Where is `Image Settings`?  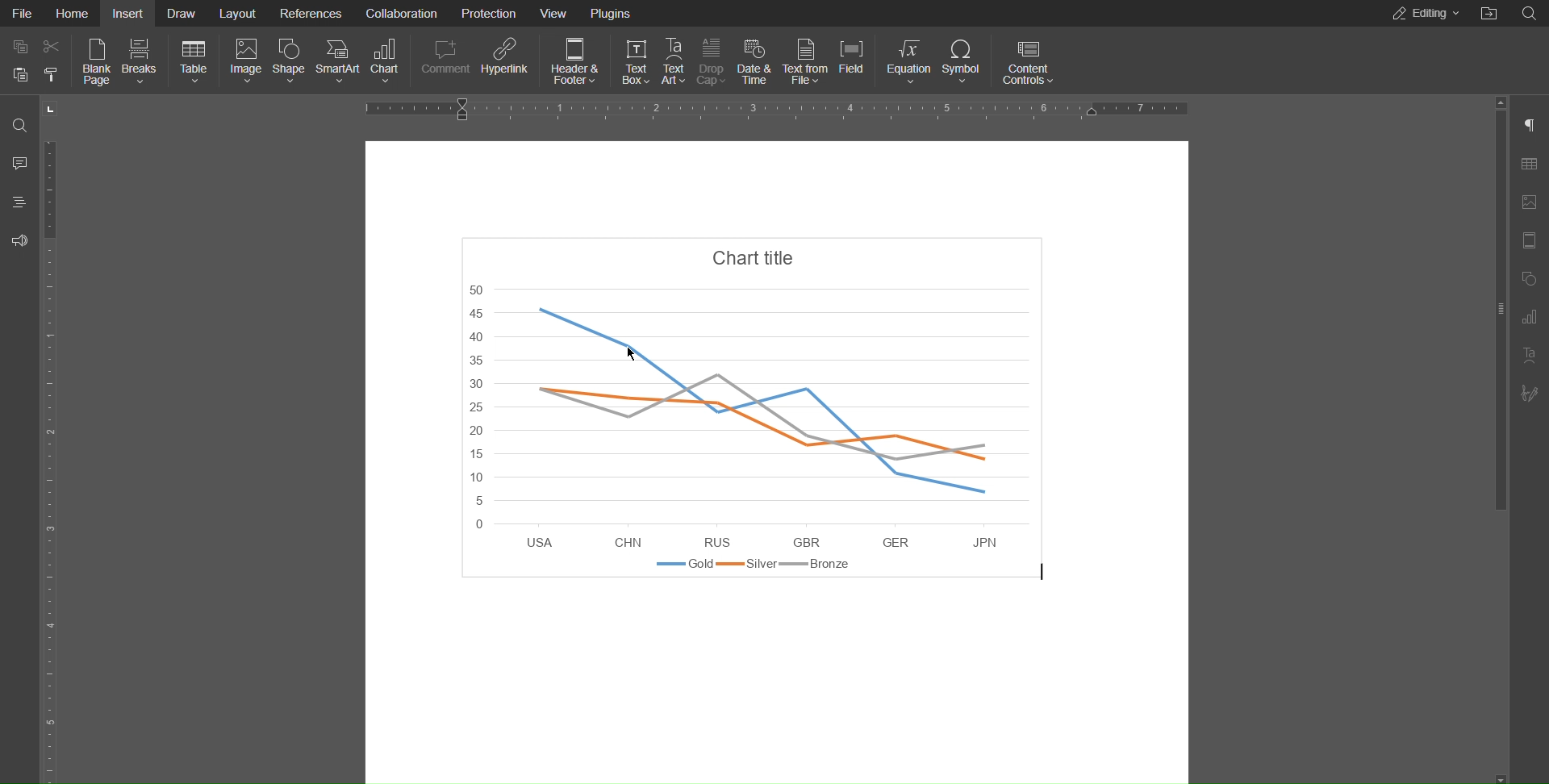 Image Settings is located at coordinates (1530, 201).